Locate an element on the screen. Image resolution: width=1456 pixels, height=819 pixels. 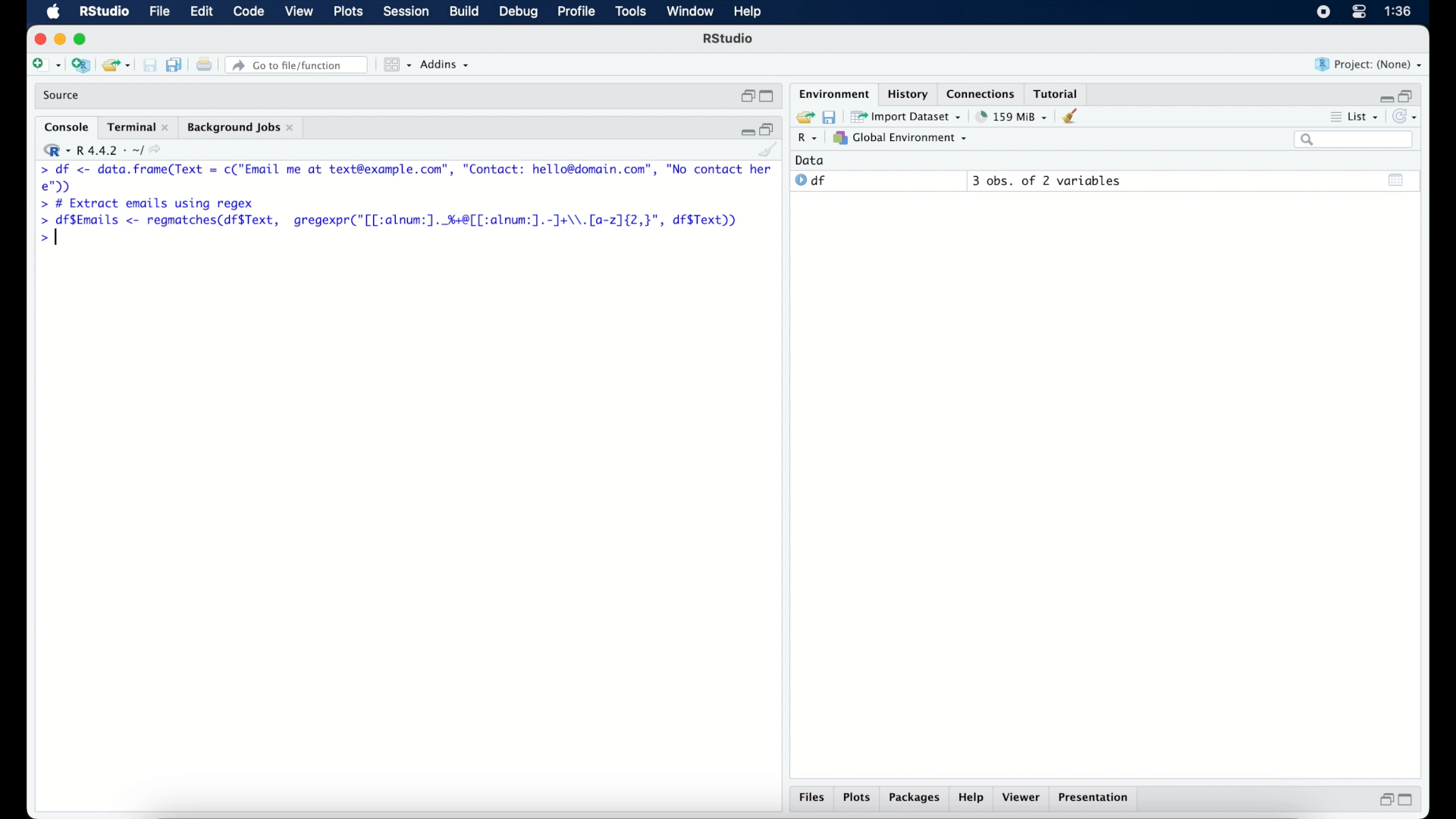
terminal is located at coordinates (137, 127).